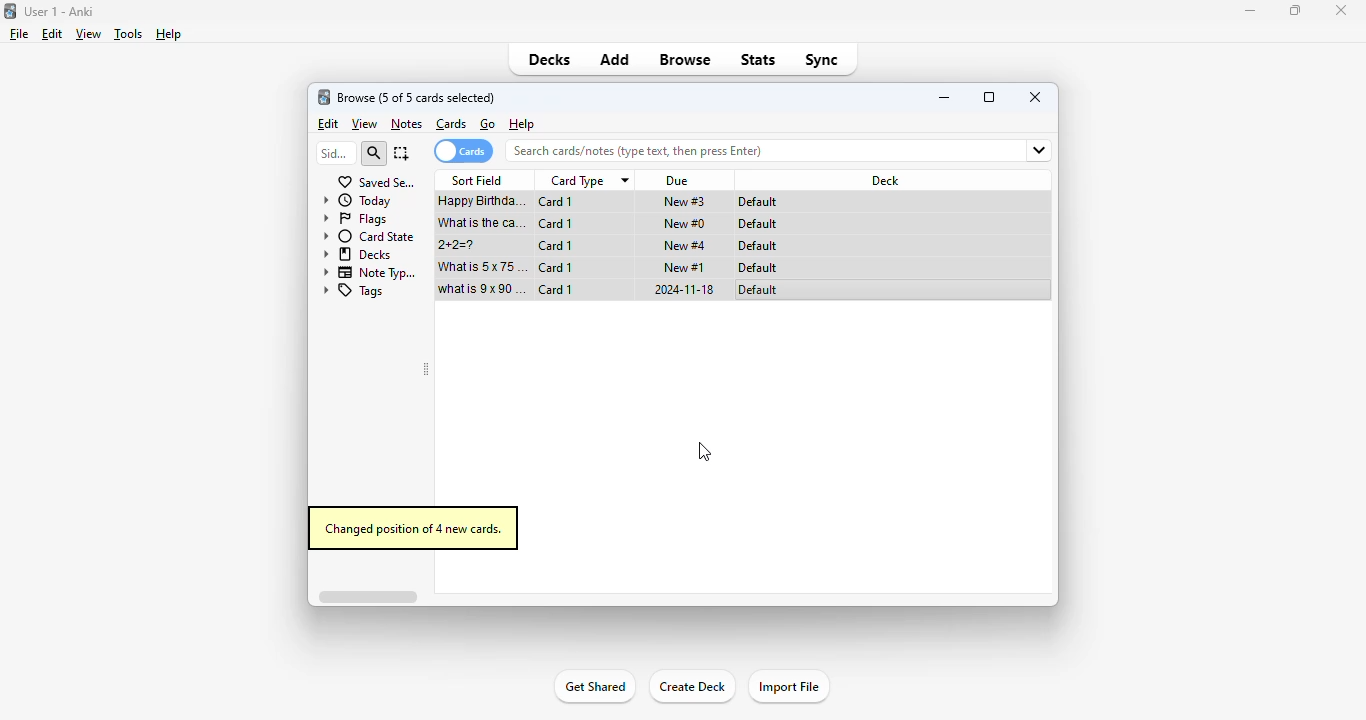 Image resolution: width=1366 pixels, height=720 pixels. Describe the element at coordinates (168, 34) in the screenshot. I see `help` at that location.